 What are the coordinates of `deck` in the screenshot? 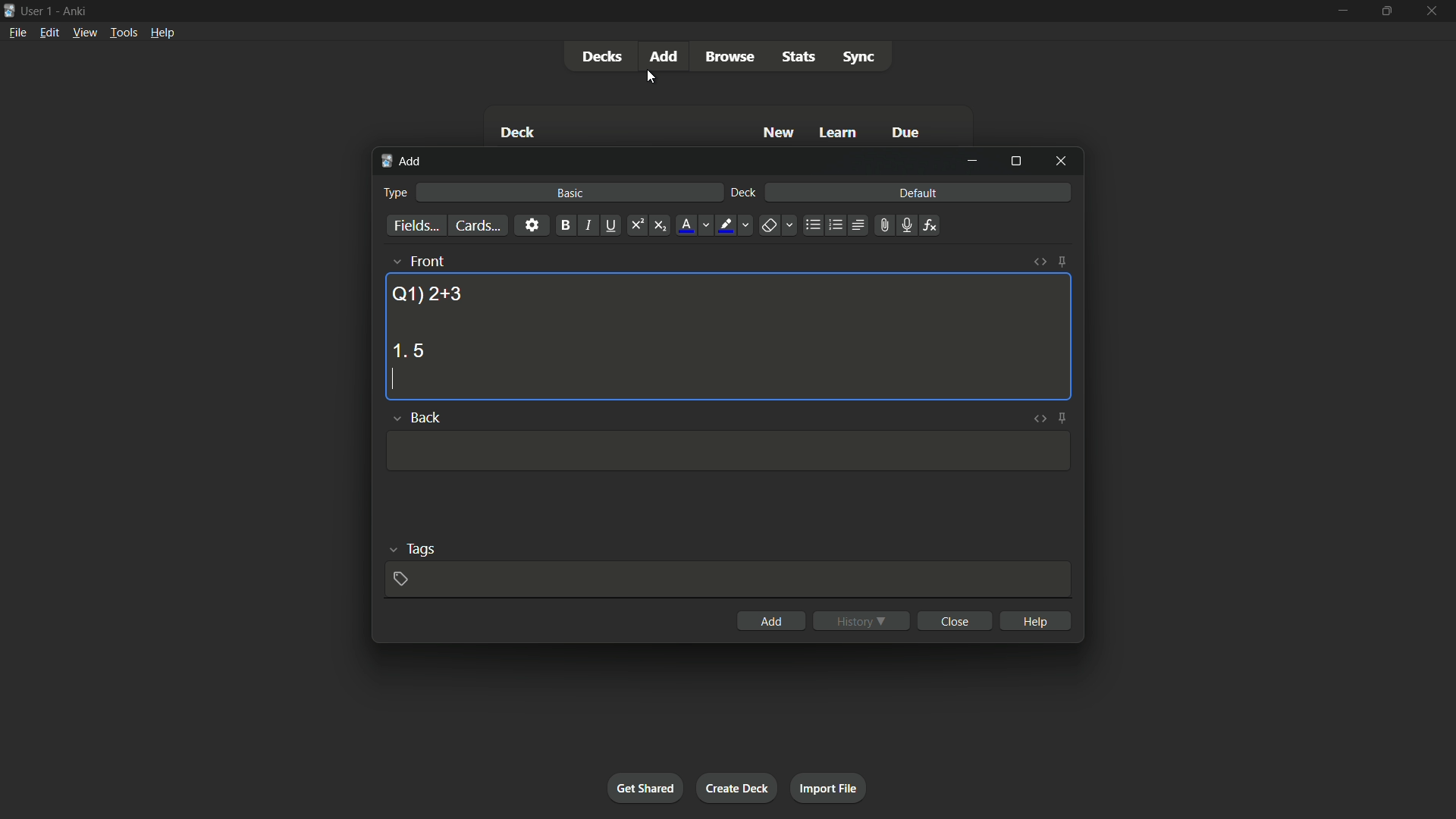 It's located at (517, 134).